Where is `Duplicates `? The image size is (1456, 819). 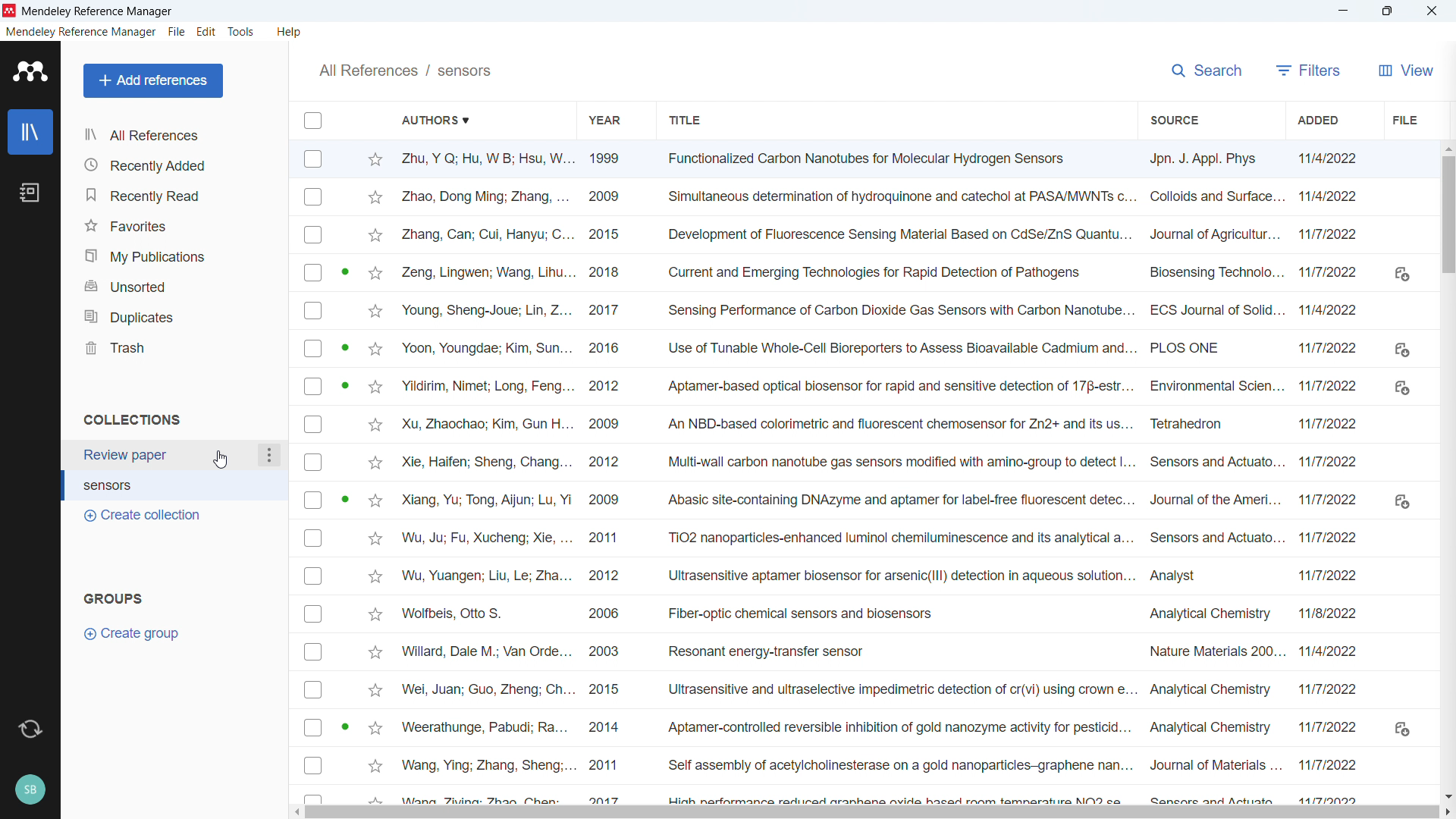
Duplicates  is located at coordinates (180, 316).